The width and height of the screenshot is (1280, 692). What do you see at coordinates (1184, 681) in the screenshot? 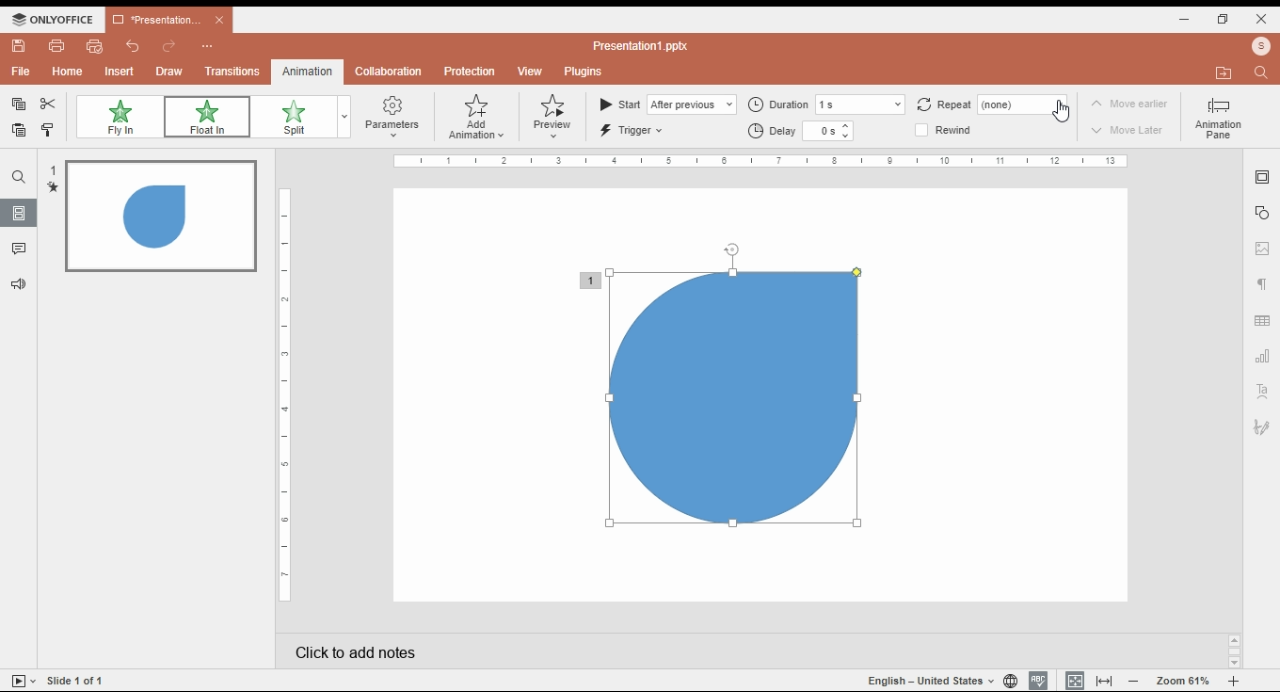
I see `zoom 61%` at bounding box center [1184, 681].